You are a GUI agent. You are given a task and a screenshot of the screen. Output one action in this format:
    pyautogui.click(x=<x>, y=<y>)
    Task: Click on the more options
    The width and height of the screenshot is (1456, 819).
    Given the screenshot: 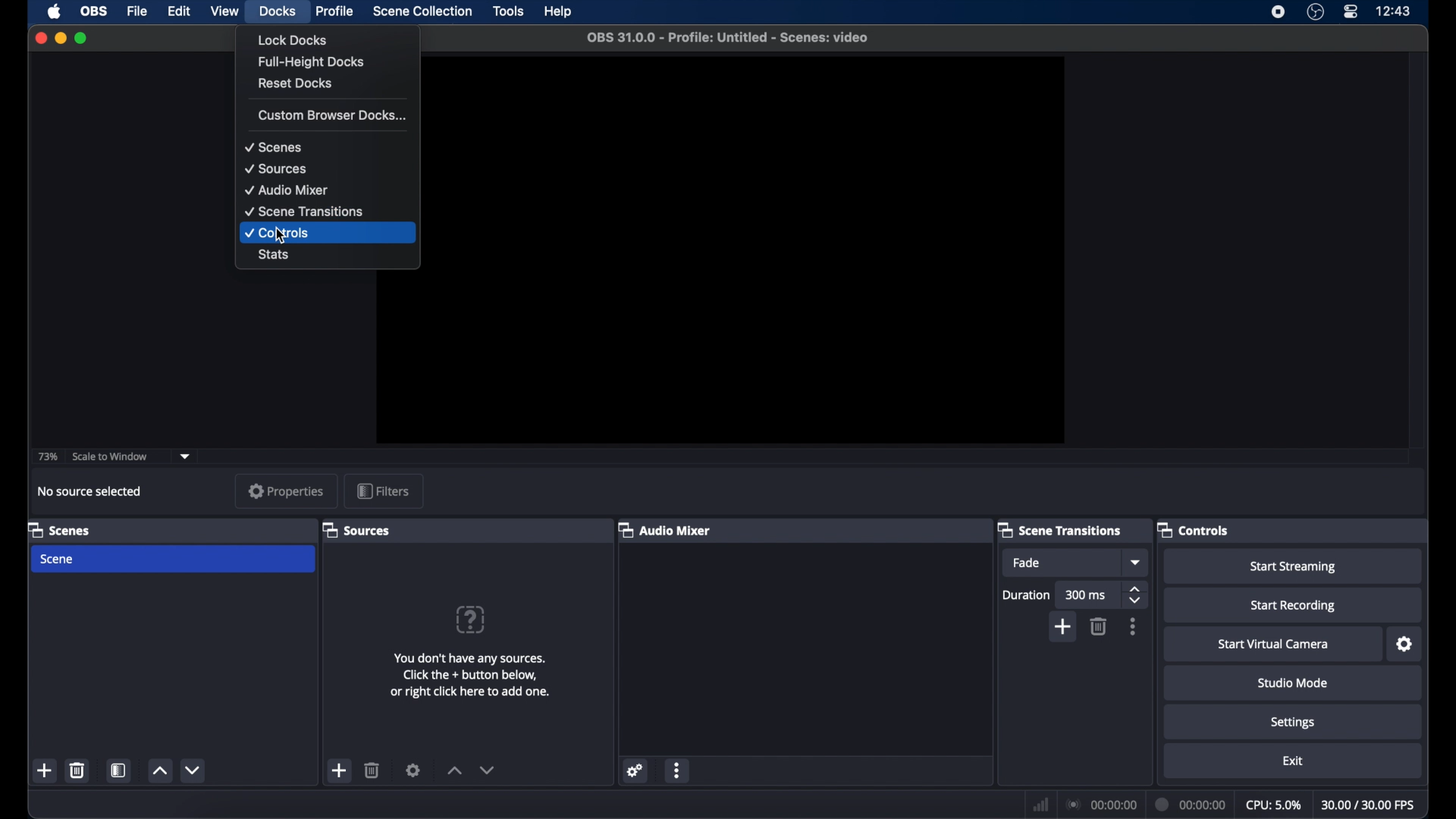 What is the action you would take?
    pyautogui.click(x=1134, y=626)
    